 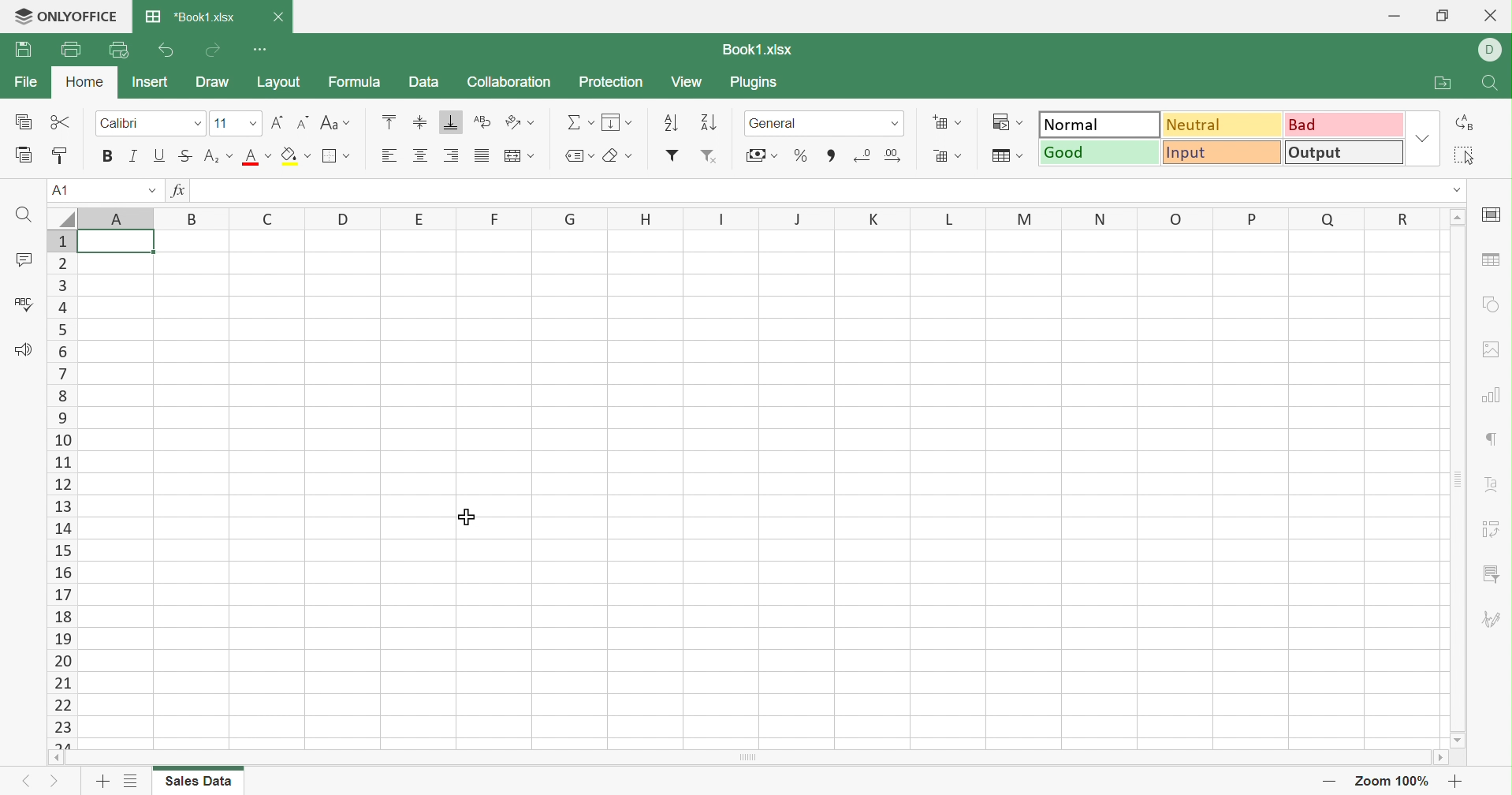 What do you see at coordinates (1458, 780) in the screenshot?
I see `Zoom in` at bounding box center [1458, 780].